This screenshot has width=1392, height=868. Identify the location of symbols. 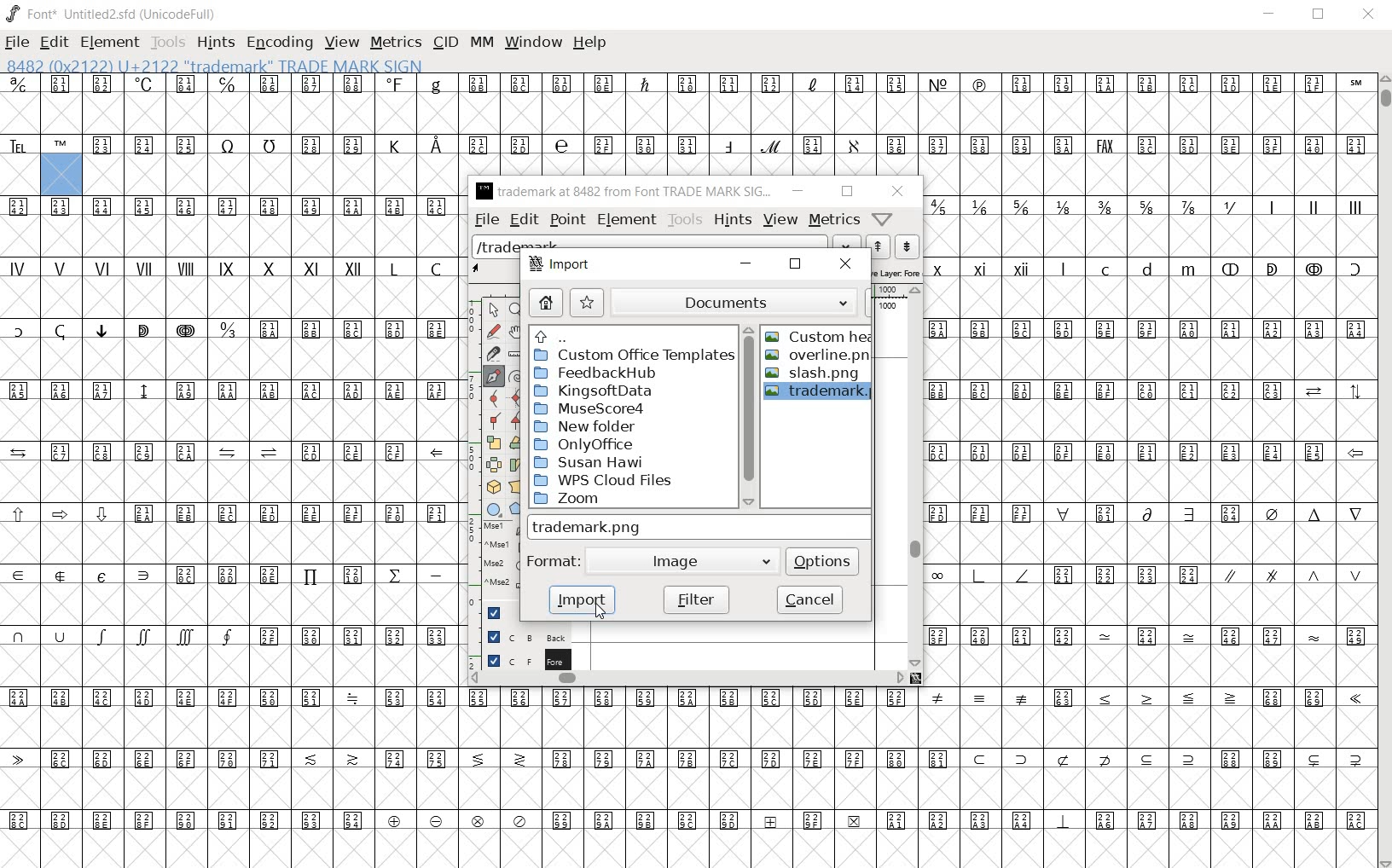
(354, 349).